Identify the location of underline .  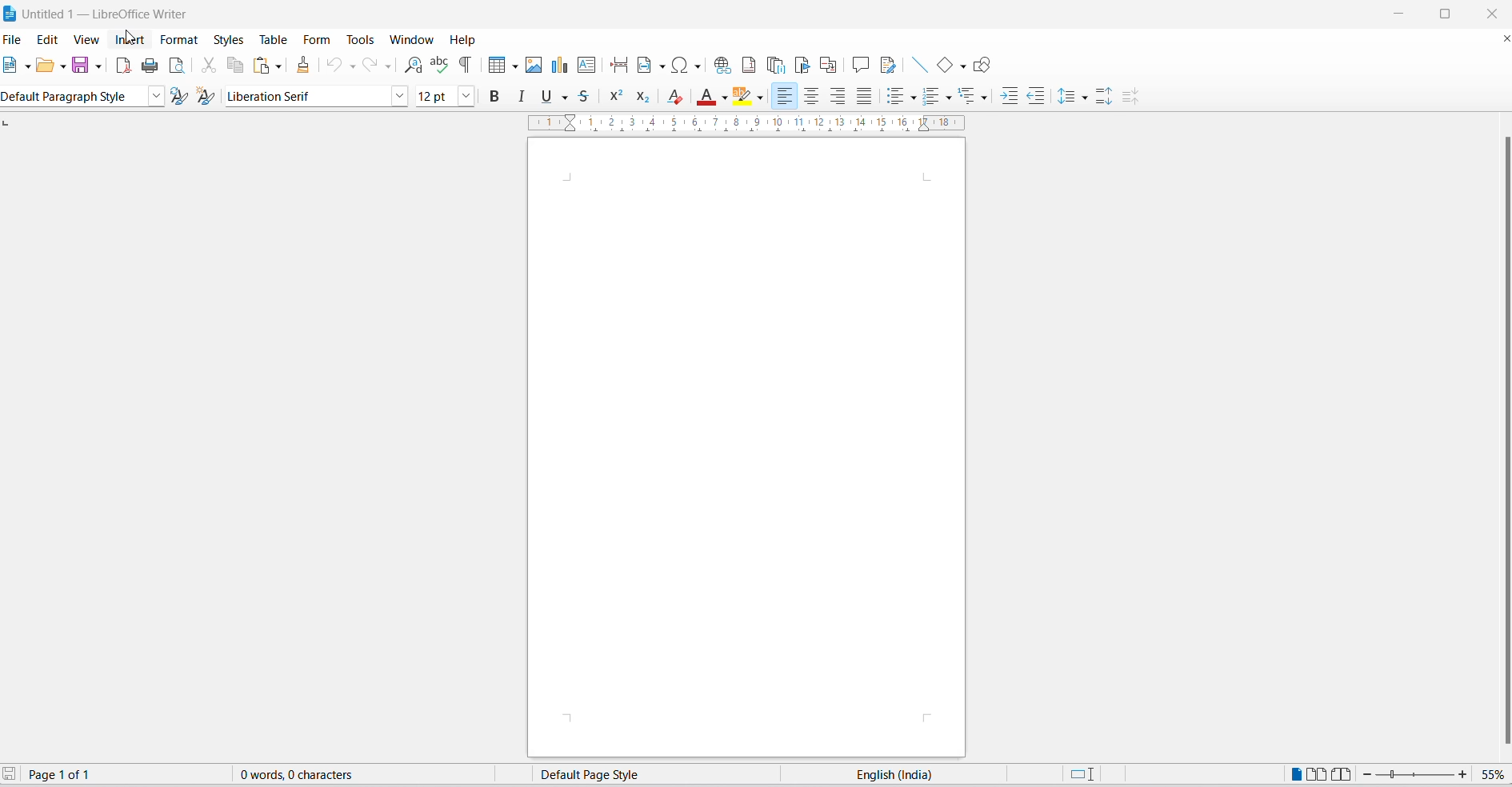
(544, 98).